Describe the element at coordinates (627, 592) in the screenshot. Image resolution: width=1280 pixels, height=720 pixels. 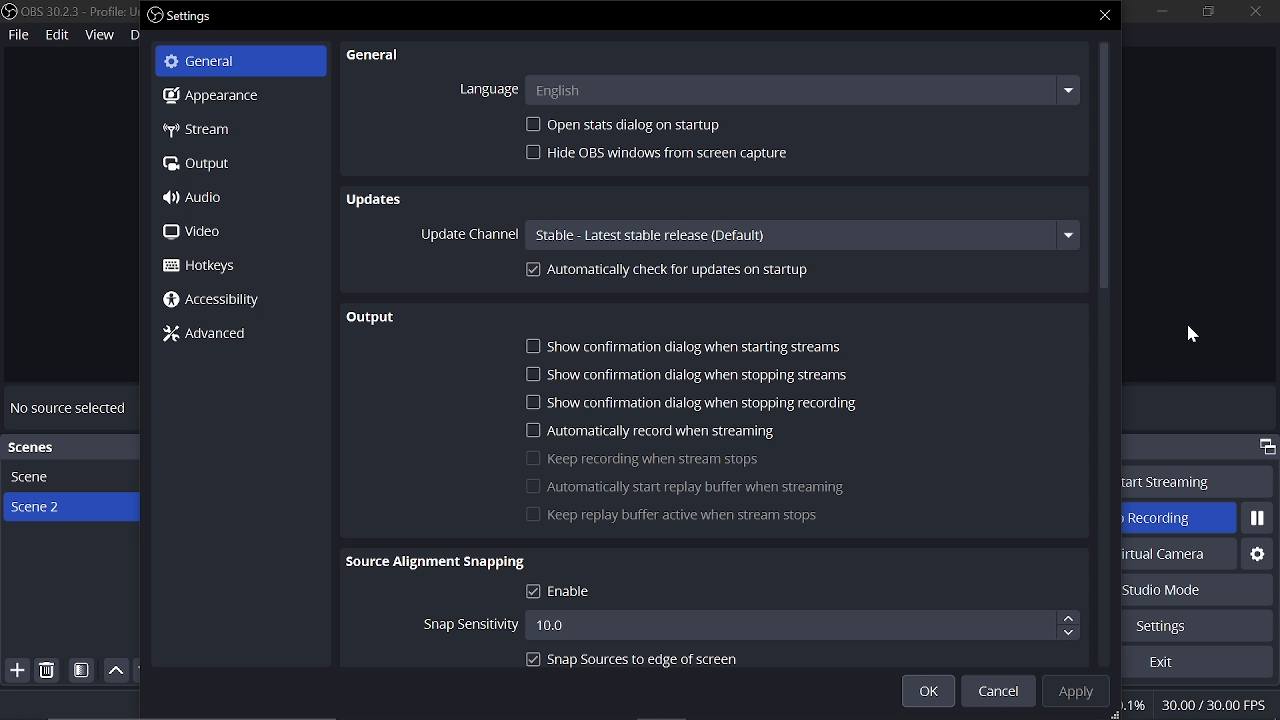
I see `enable snapping` at that location.